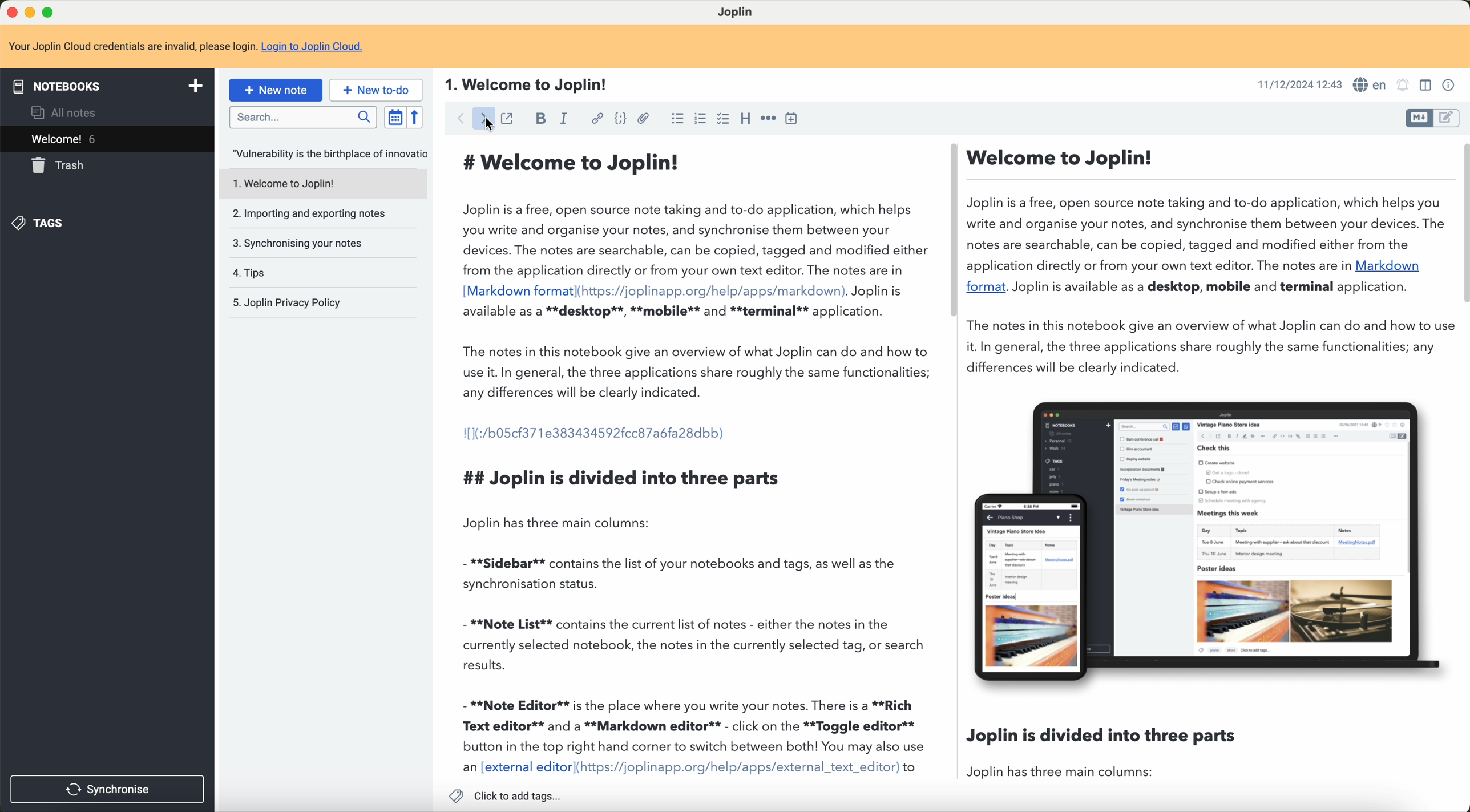 The image size is (1470, 812). What do you see at coordinates (109, 788) in the screenshot?
I see `synchronise` at bounding box center [109, 788].